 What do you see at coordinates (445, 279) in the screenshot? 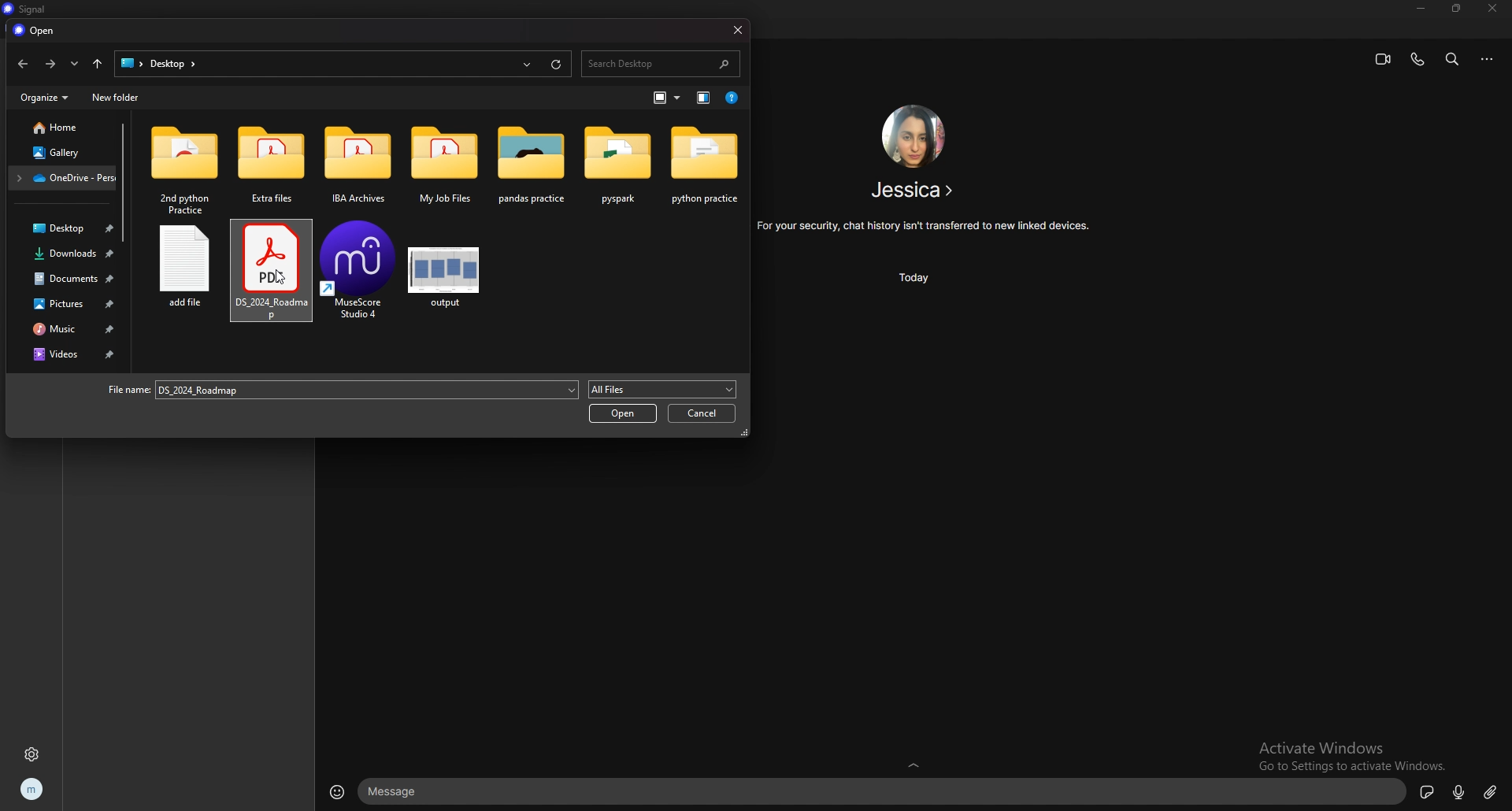
I see `file` at bounding box center [445, 279].